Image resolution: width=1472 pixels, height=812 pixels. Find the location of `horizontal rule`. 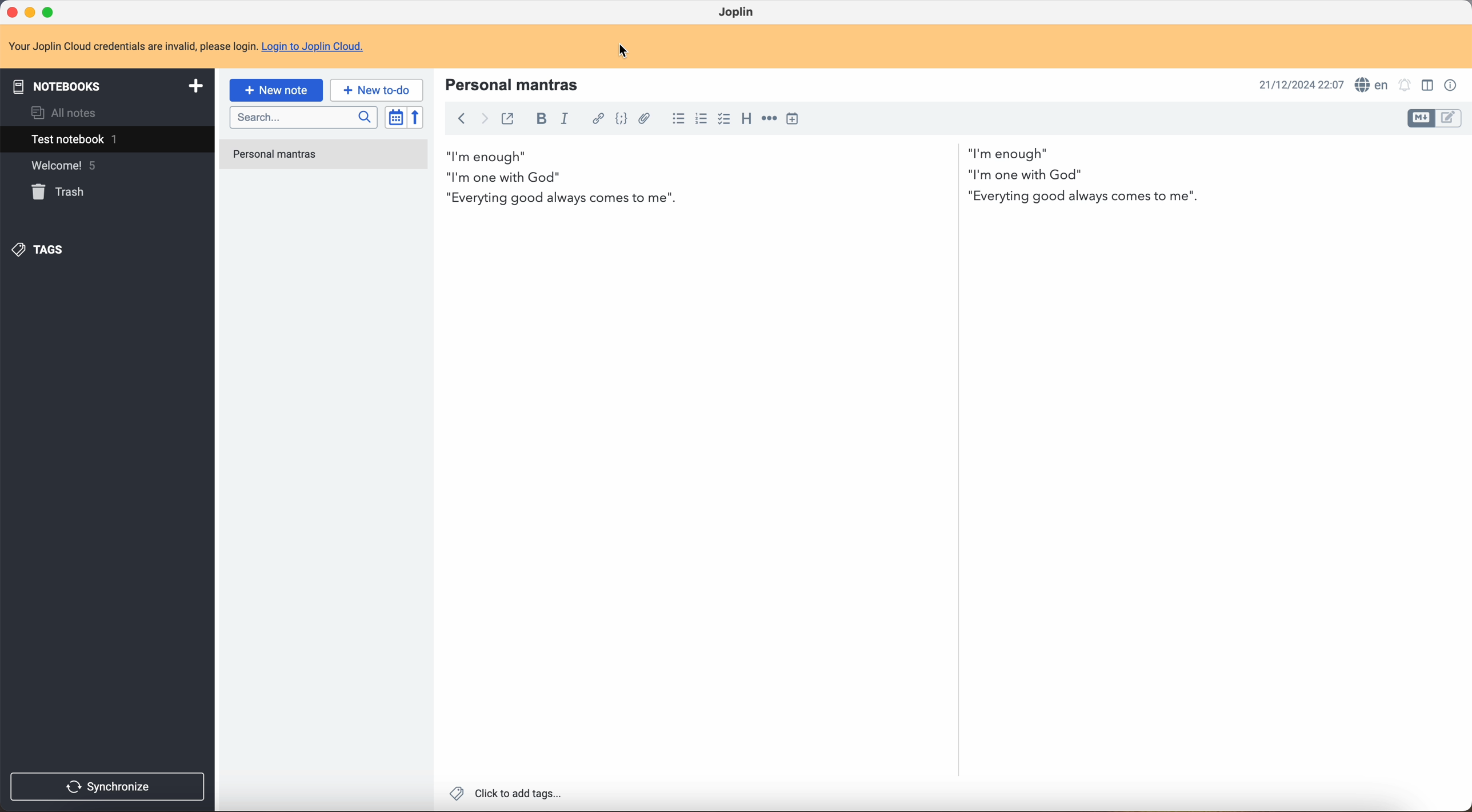

horizontal rule is located at coordinates (770, 119).